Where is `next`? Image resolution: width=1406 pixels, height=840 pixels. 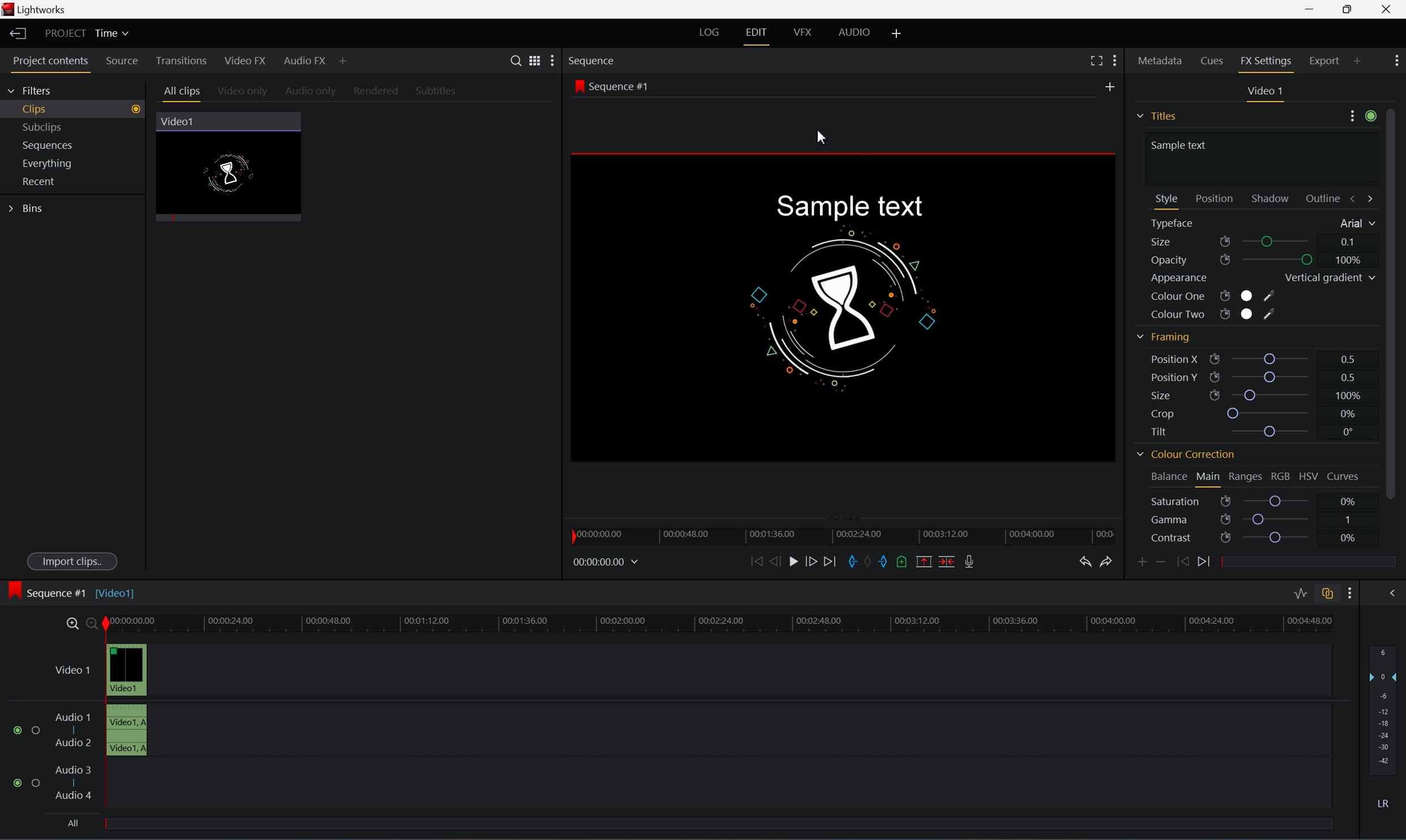 next is located at coordinates (1208, 562).